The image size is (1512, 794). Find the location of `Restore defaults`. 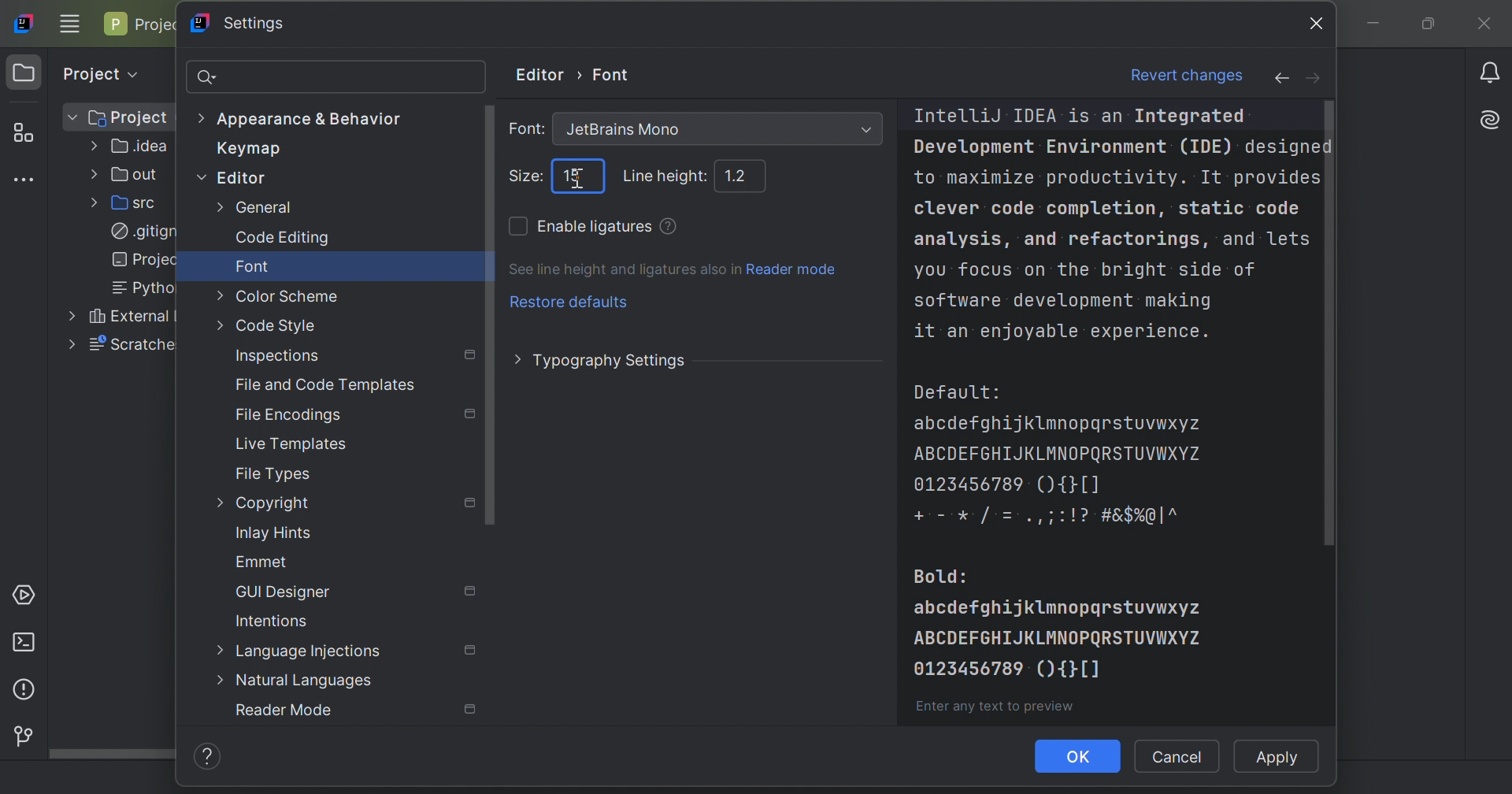

Restore defaults is located at coordinates (576, 302).